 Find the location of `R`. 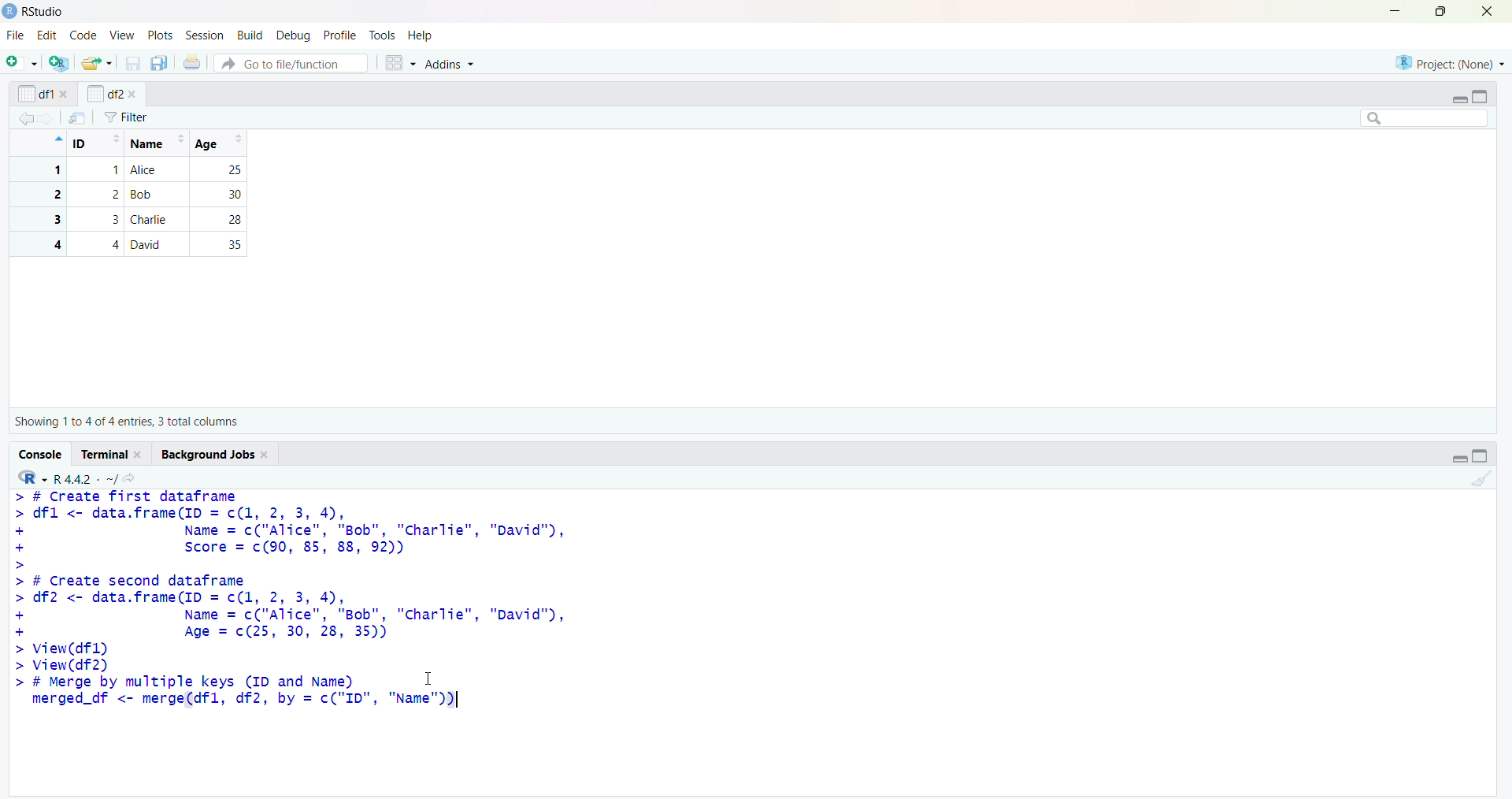

R is located at coordinates (32, 478).